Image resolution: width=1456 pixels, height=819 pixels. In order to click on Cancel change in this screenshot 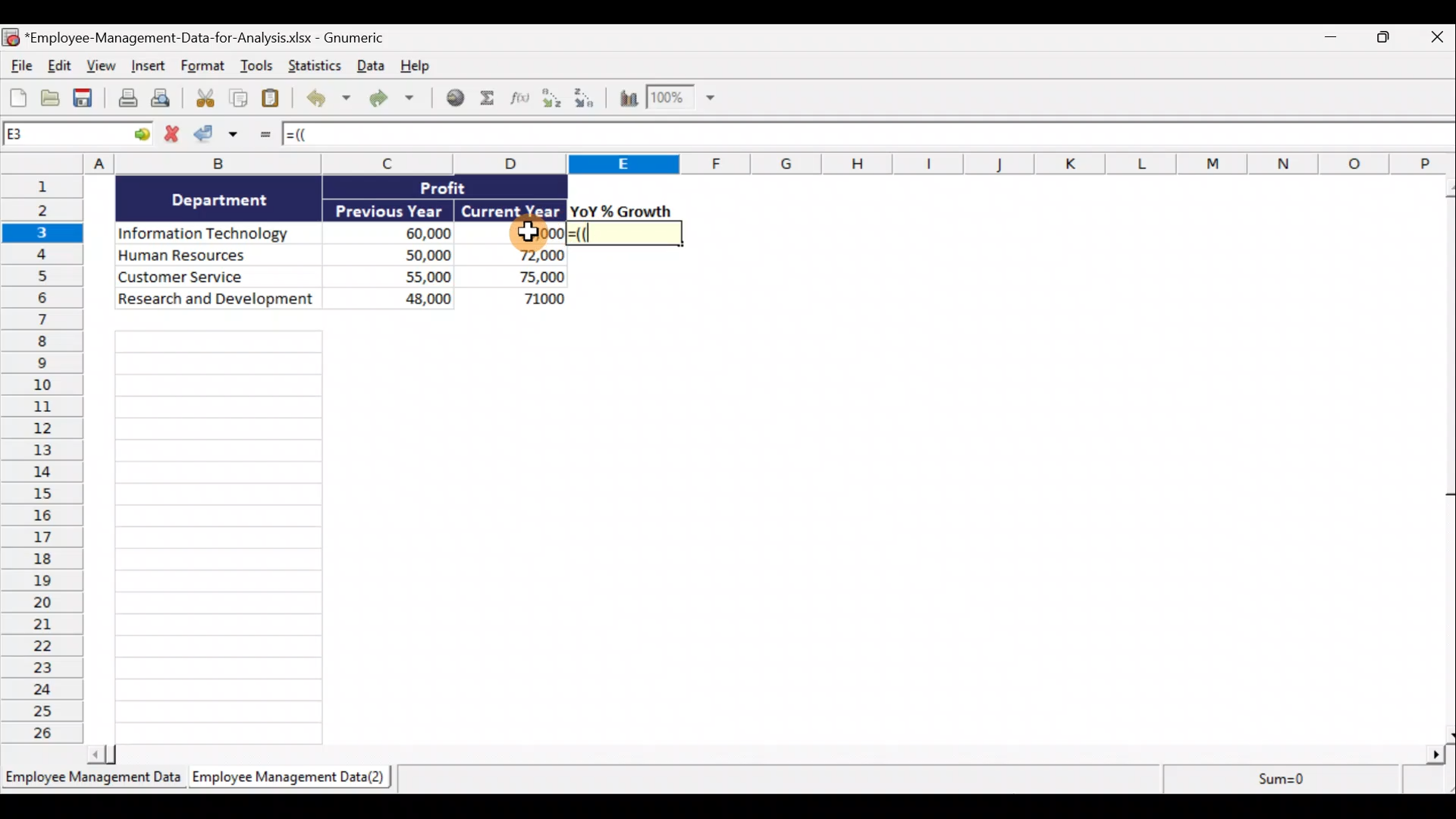, I will do `click(174, 134)`.